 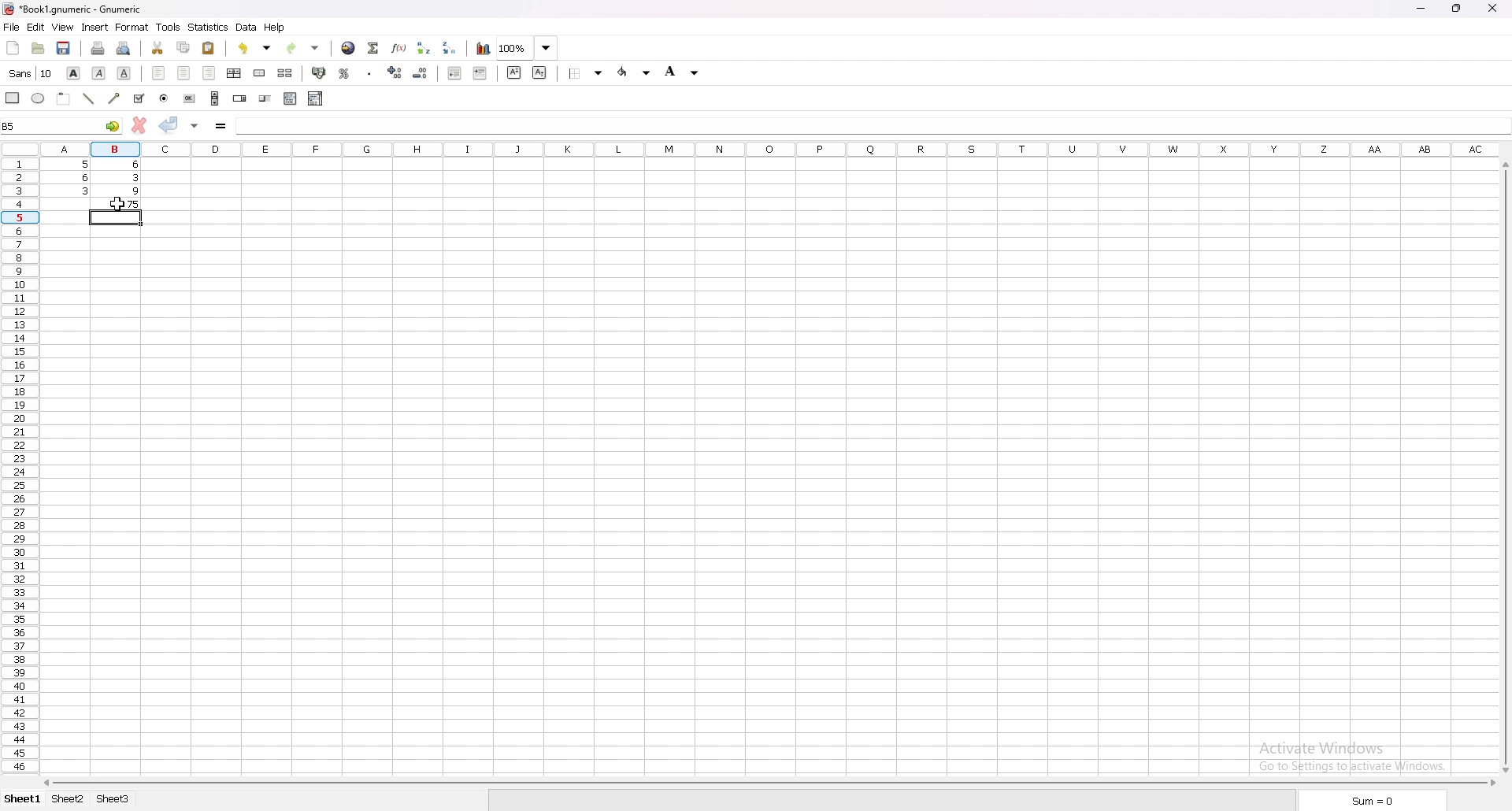 I want to click on italic, so click(x=98, y=74).